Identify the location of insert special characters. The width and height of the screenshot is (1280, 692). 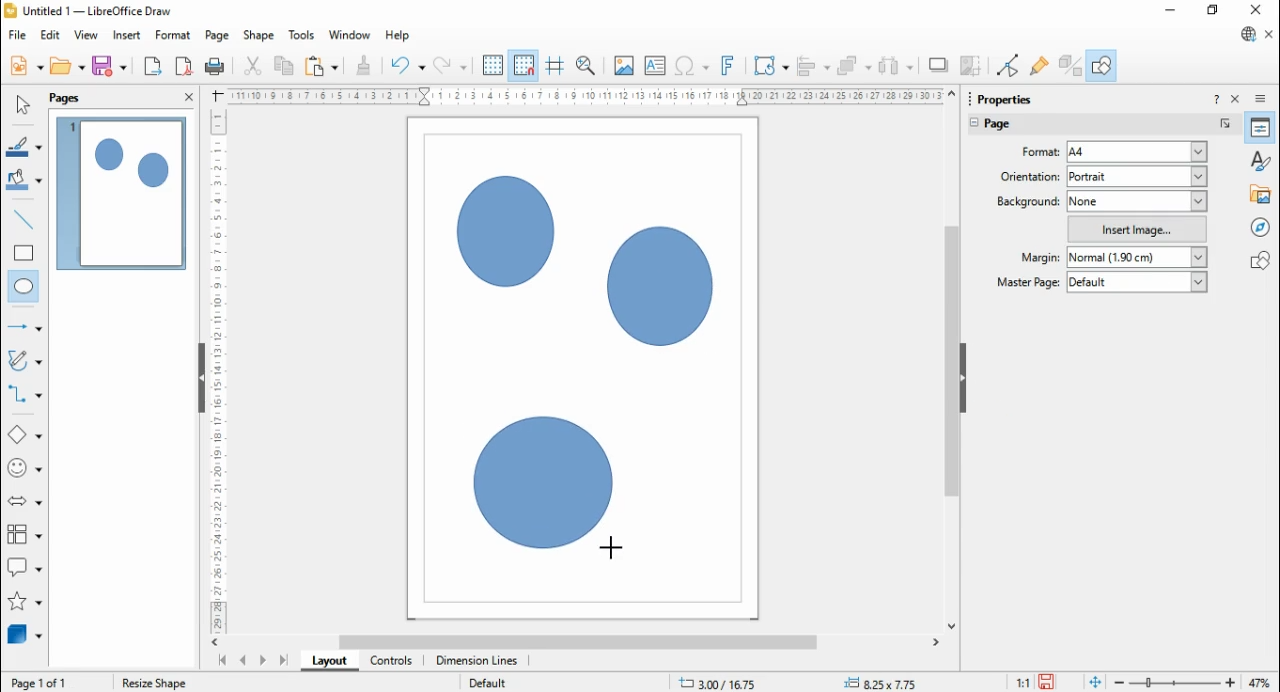
(693, 65).